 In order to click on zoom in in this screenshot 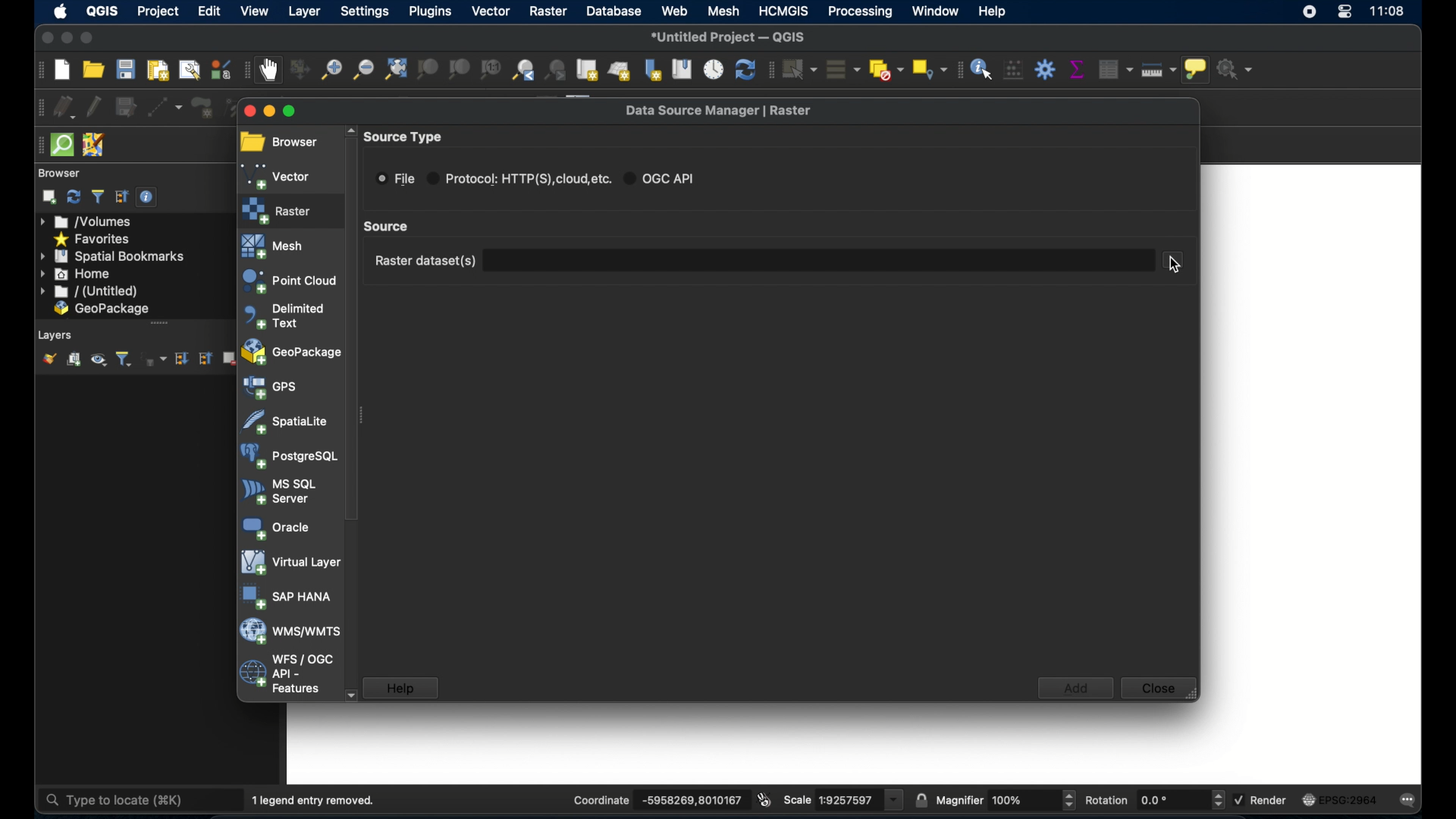, I will do `click(331, 69)`.